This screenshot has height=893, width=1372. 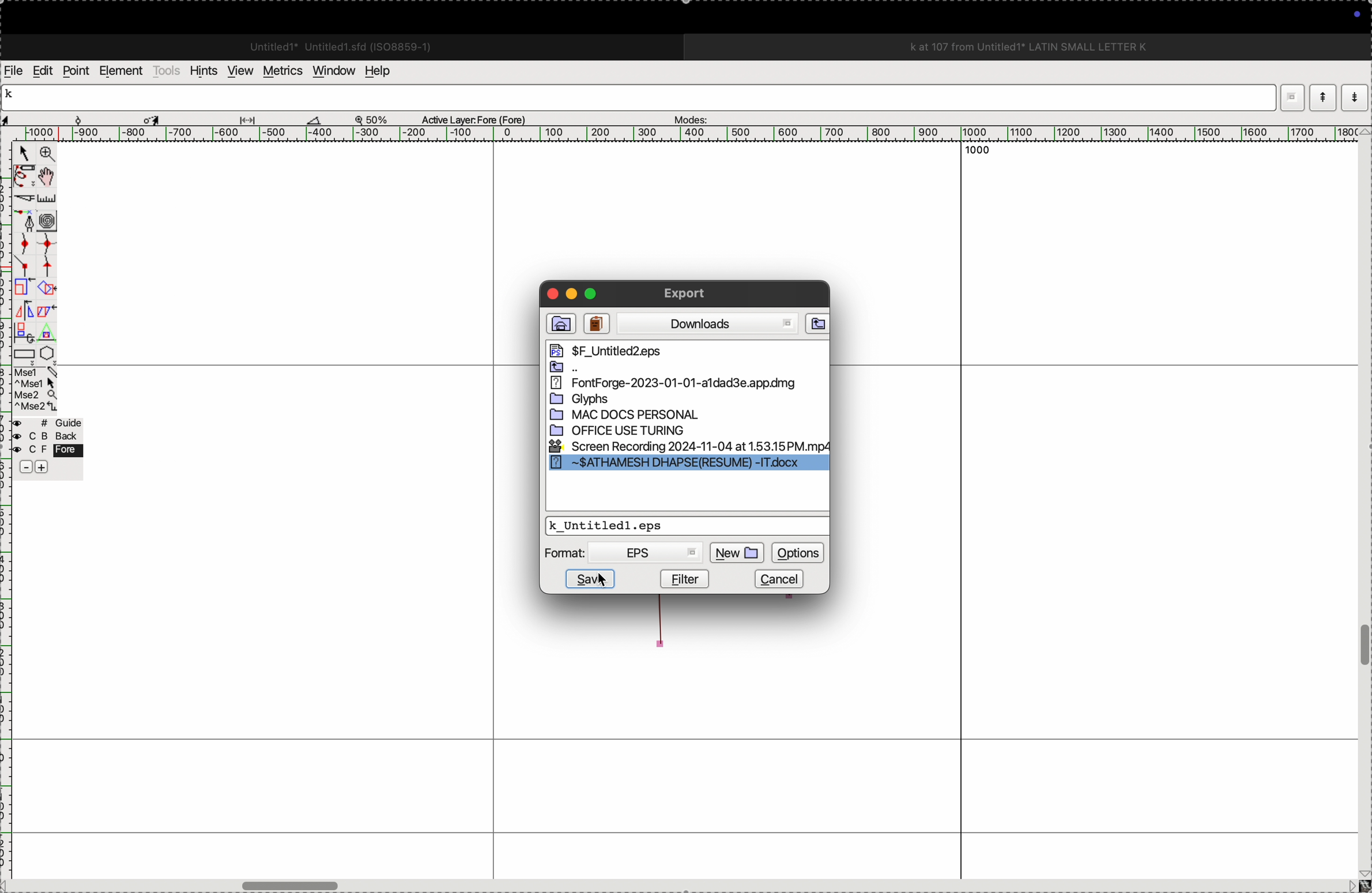 I want to click on apk, so click(x=679, y=385).